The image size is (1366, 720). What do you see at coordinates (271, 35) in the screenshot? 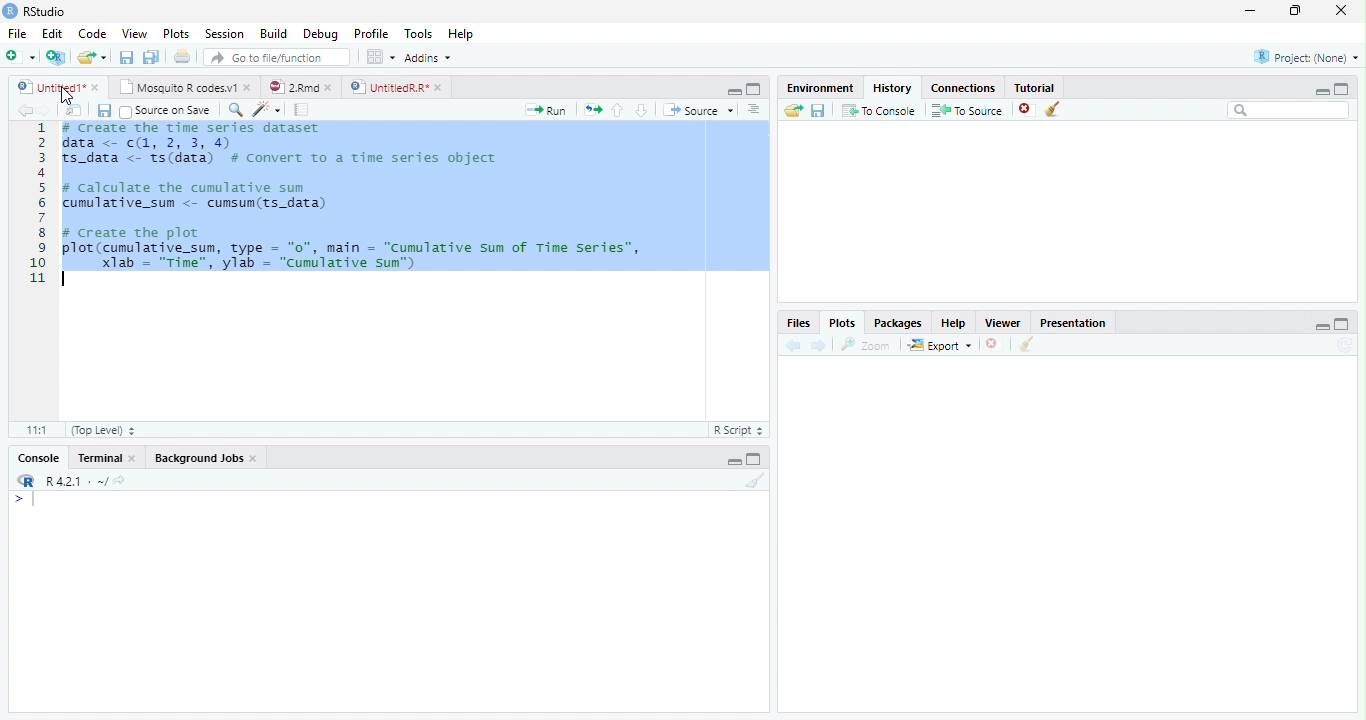
I see `Build` at bounding box center [271, 35].